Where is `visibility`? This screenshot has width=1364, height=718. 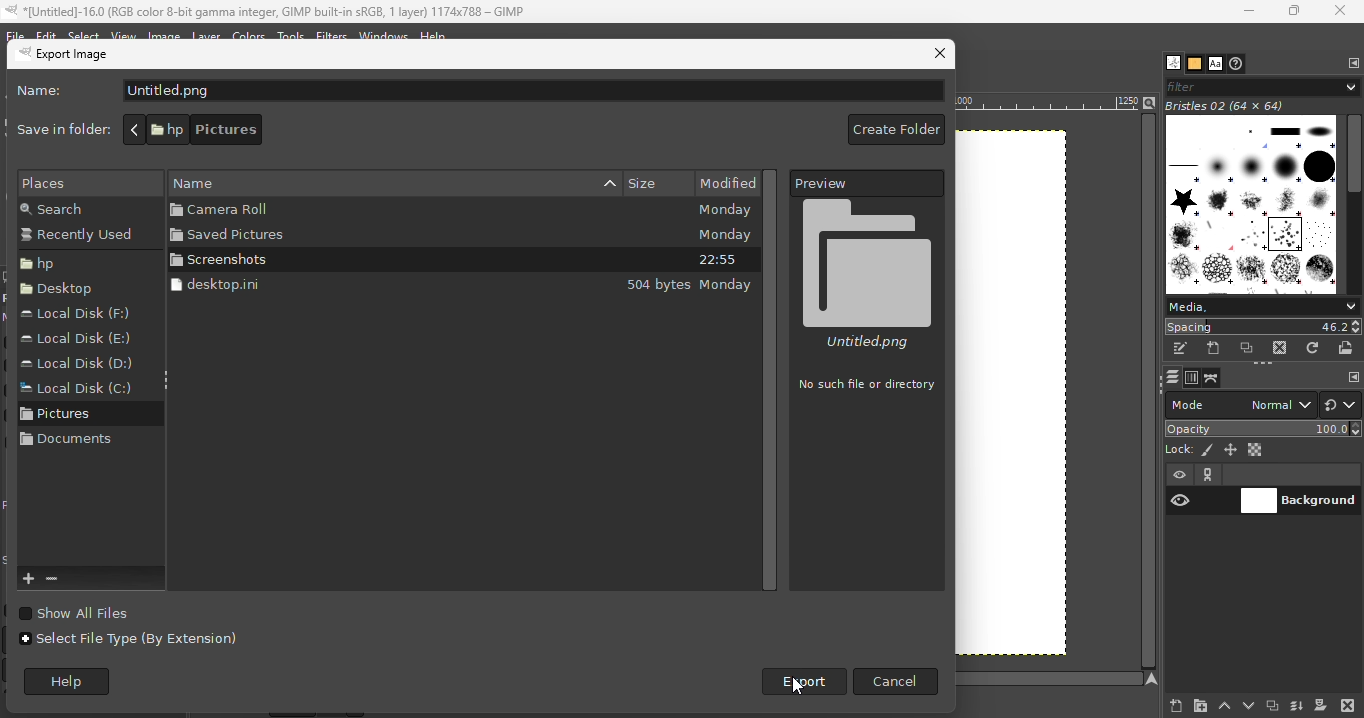 visibility is located at coordinates (1182, 476).